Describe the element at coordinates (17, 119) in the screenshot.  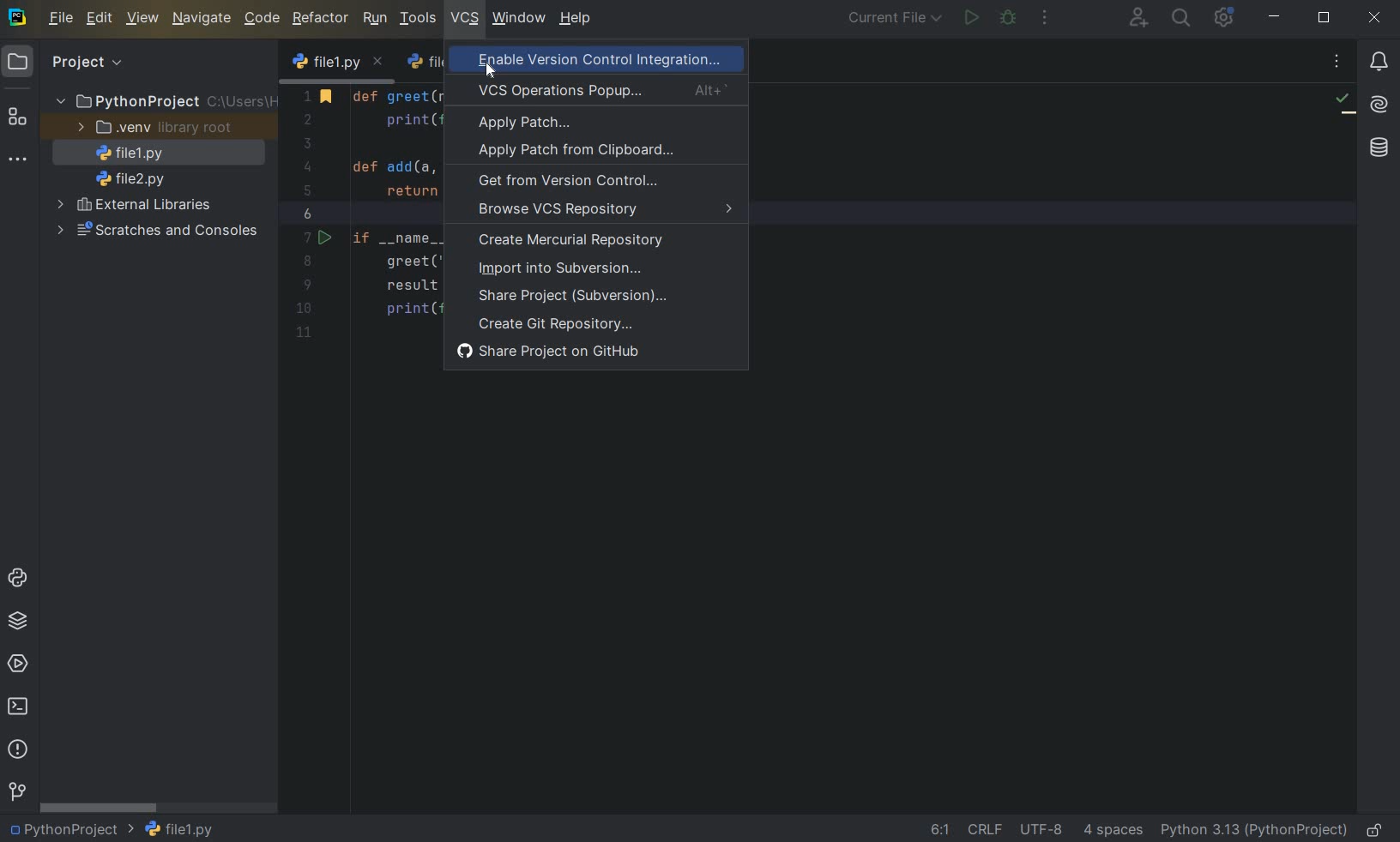
I see `structure` at that location.